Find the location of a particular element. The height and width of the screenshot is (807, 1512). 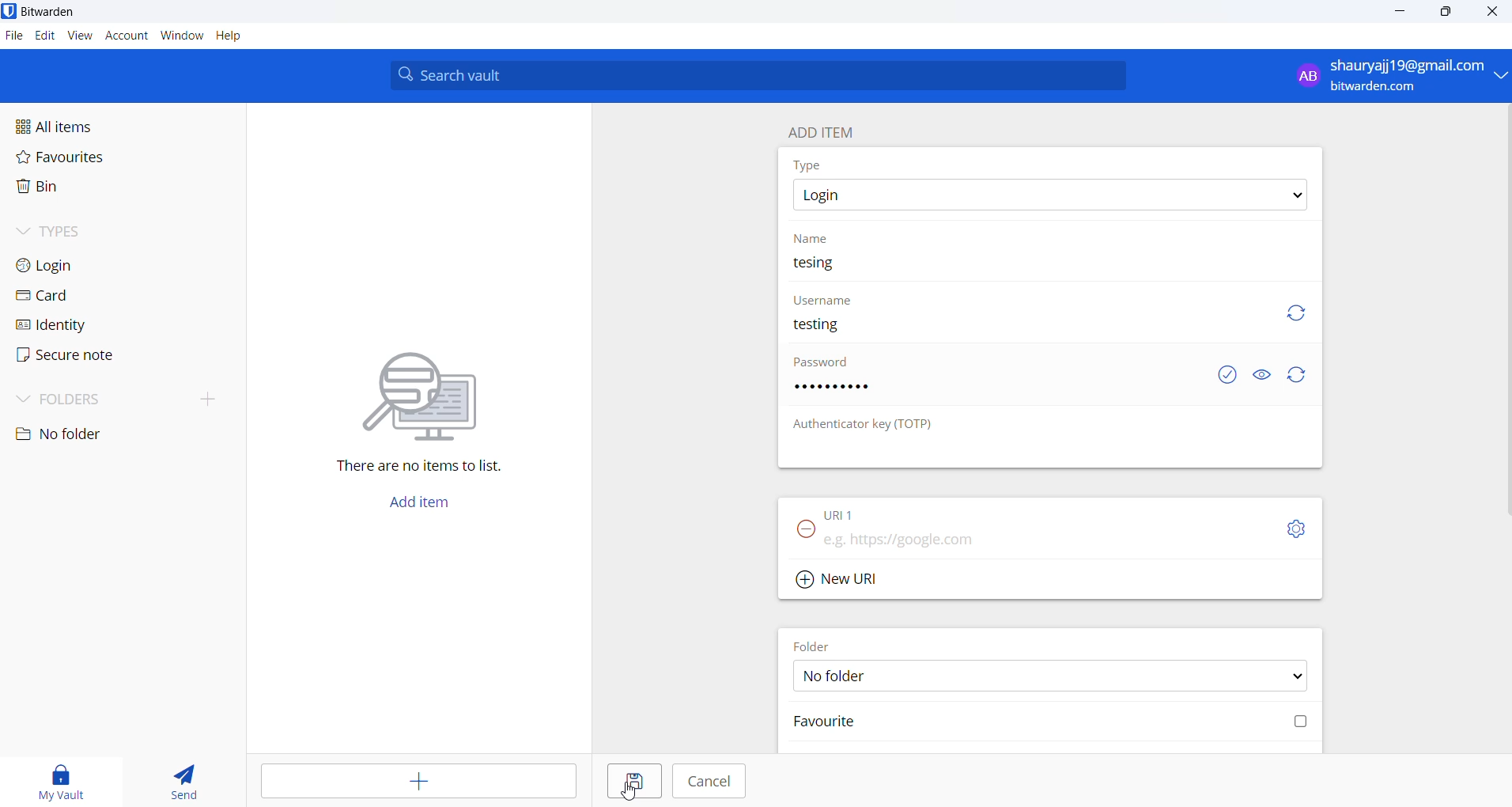

add item is located at coordinates (422, 784).